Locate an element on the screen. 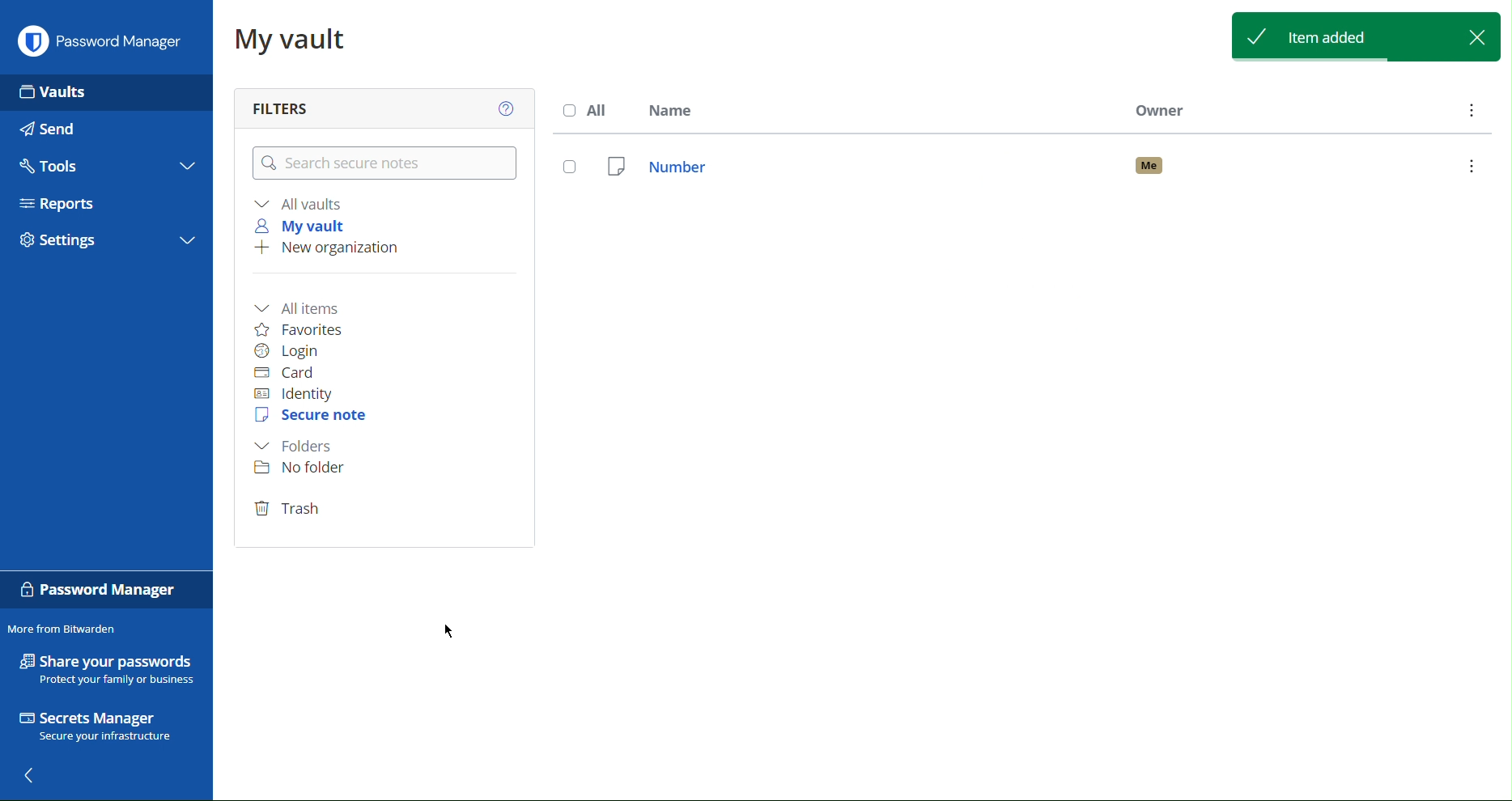 The width and height of the screenshot is (1512, 801). Folder is located at coordinates (300, 447).